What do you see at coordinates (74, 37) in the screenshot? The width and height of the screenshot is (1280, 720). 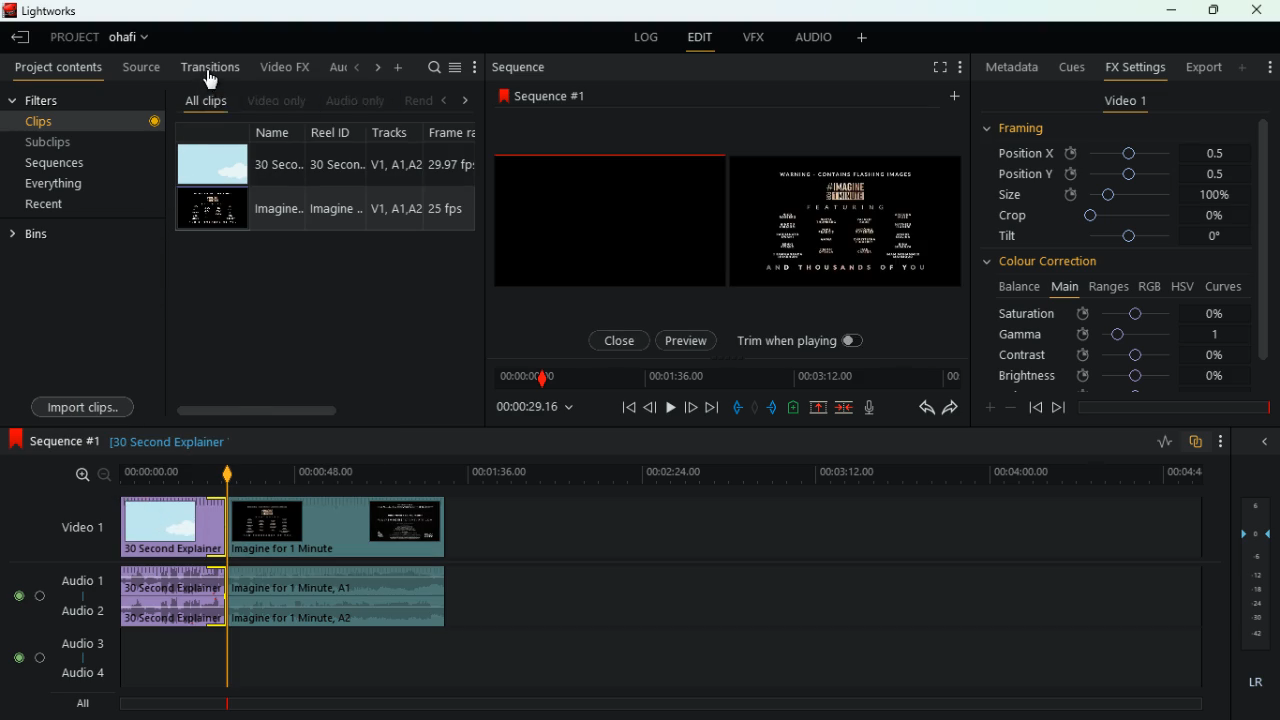 I see `project` at bounding box center [74, 37].